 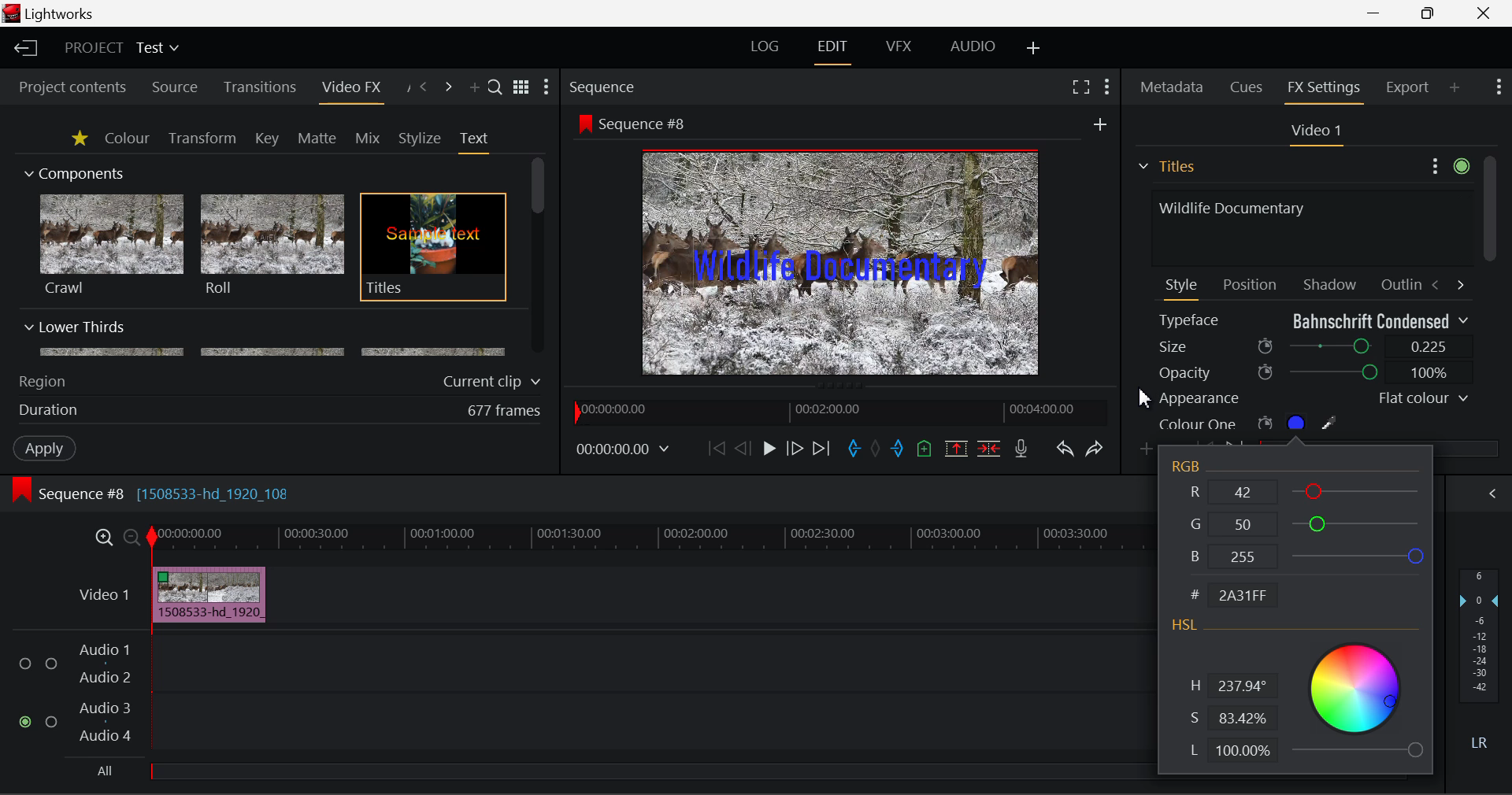 I want to click on Add keyframe, so click(x=1148, y=450).